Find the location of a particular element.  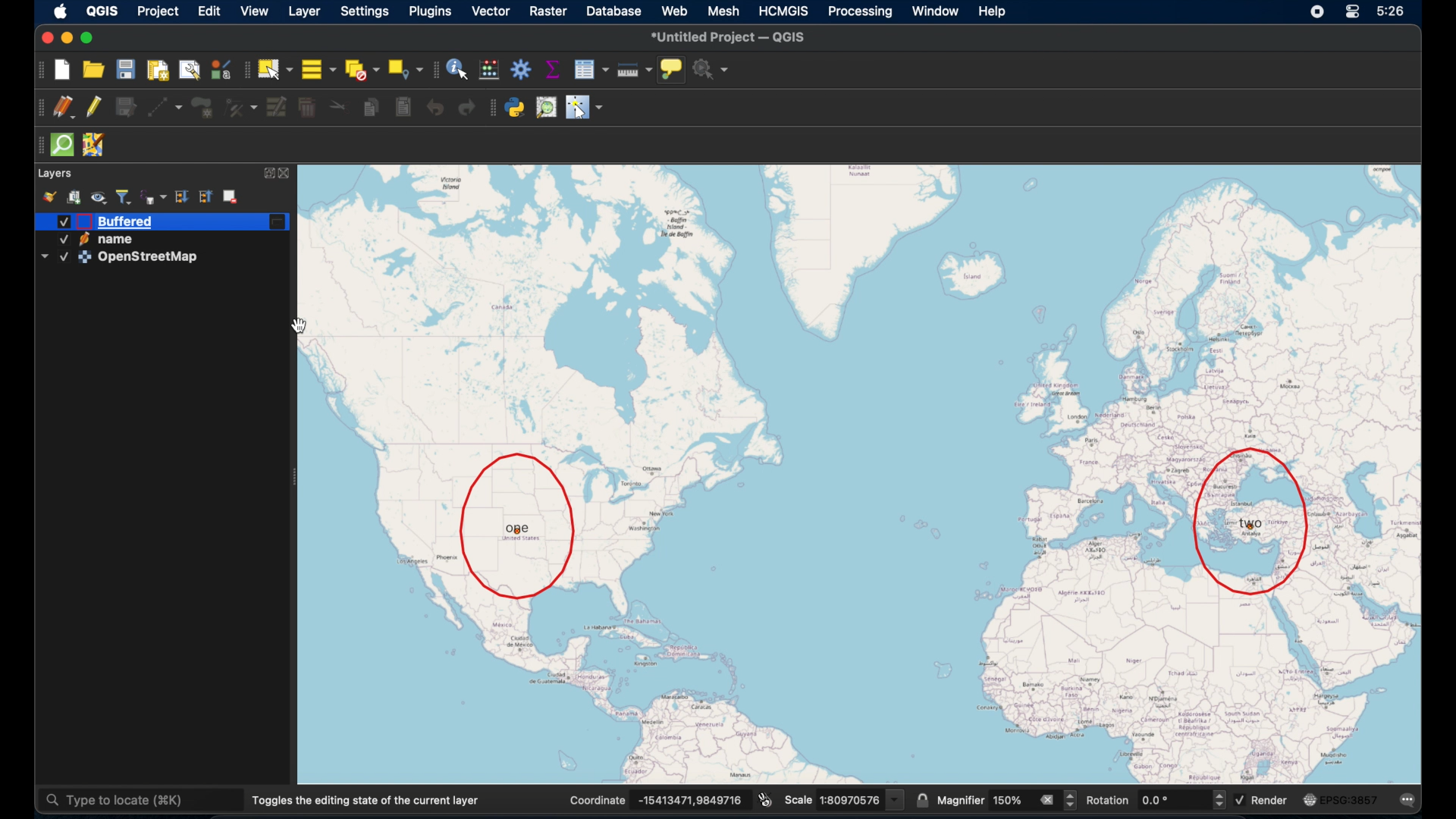

switches mouse to a configurable pointer is located at coordinates (585, 108).